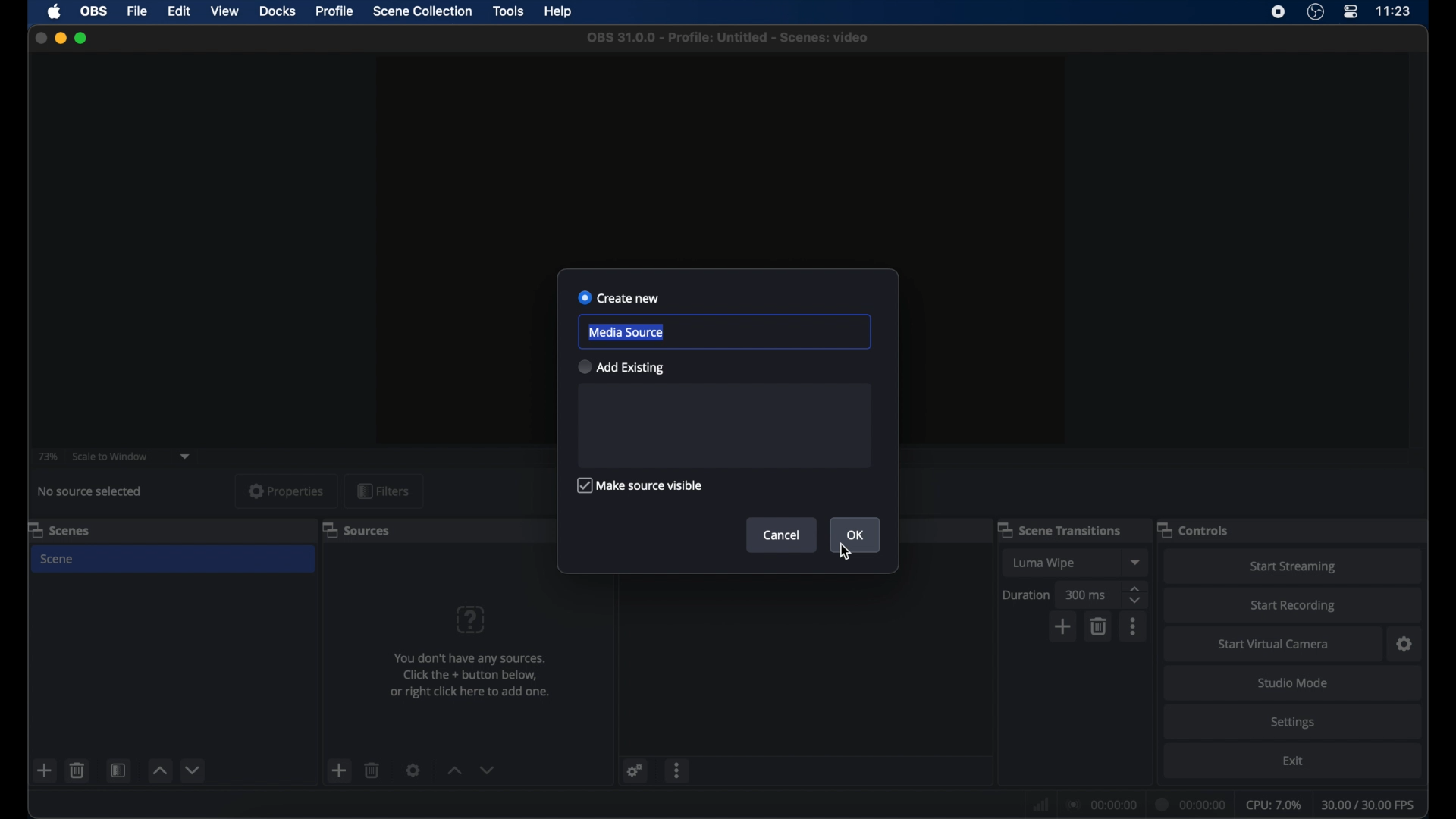  What do you see at coordinates (470, 620) in the screenshot?
I see `question mark icon` at bounding box center [470, 620].